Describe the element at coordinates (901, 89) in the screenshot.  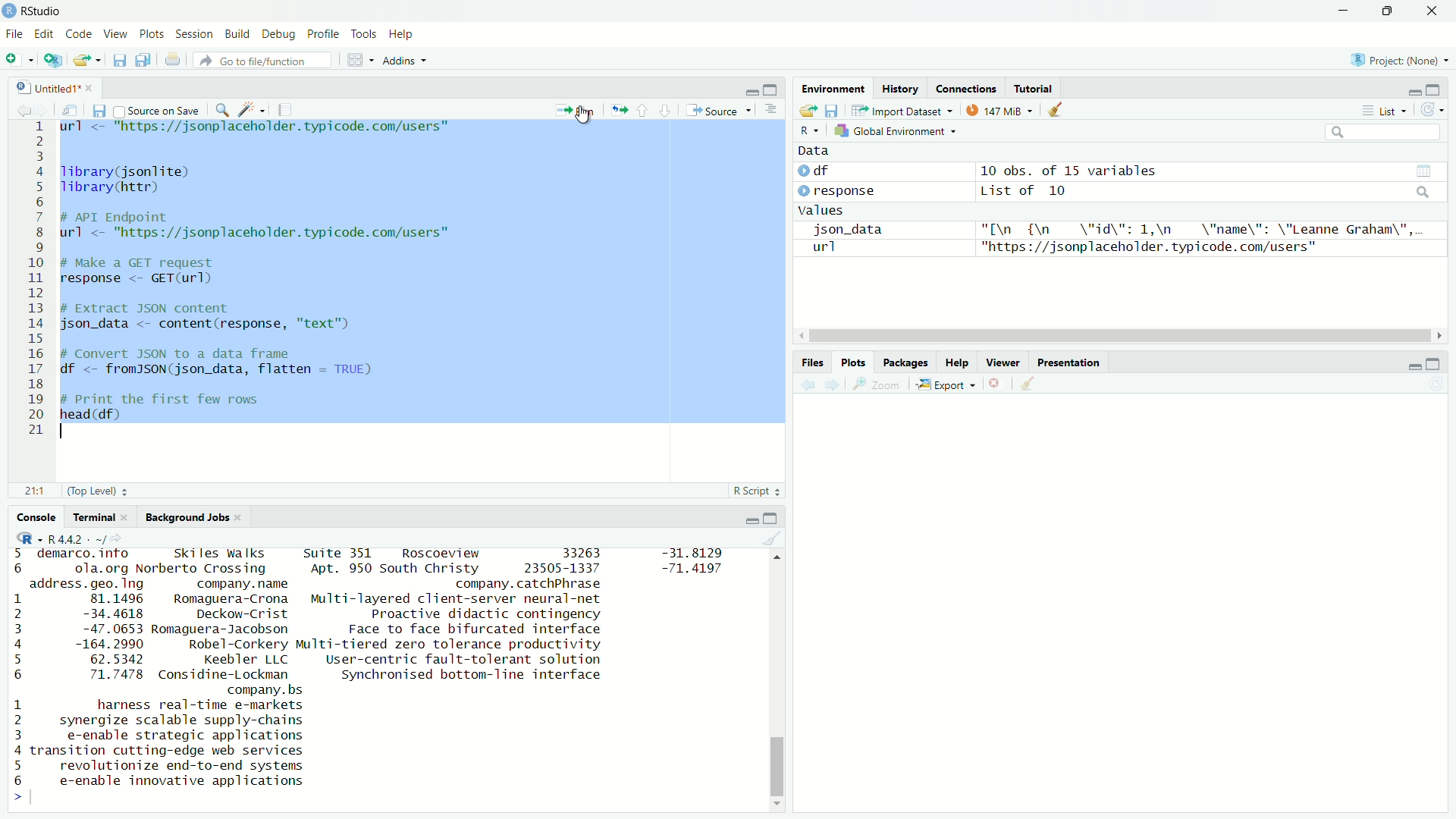
I see `History` at that location.